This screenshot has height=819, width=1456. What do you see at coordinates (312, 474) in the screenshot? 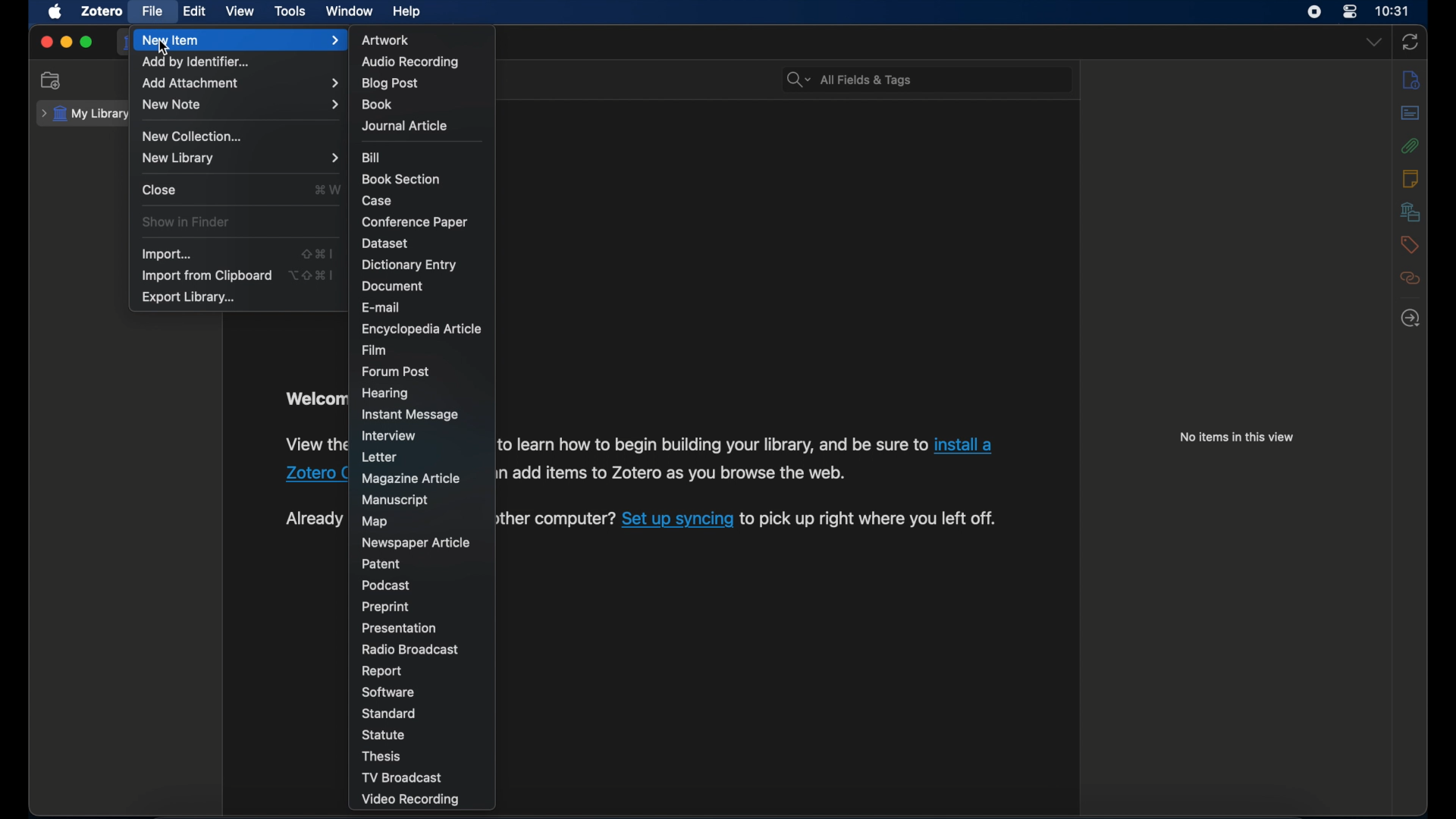
I see `` at bounding box center [312, 474].